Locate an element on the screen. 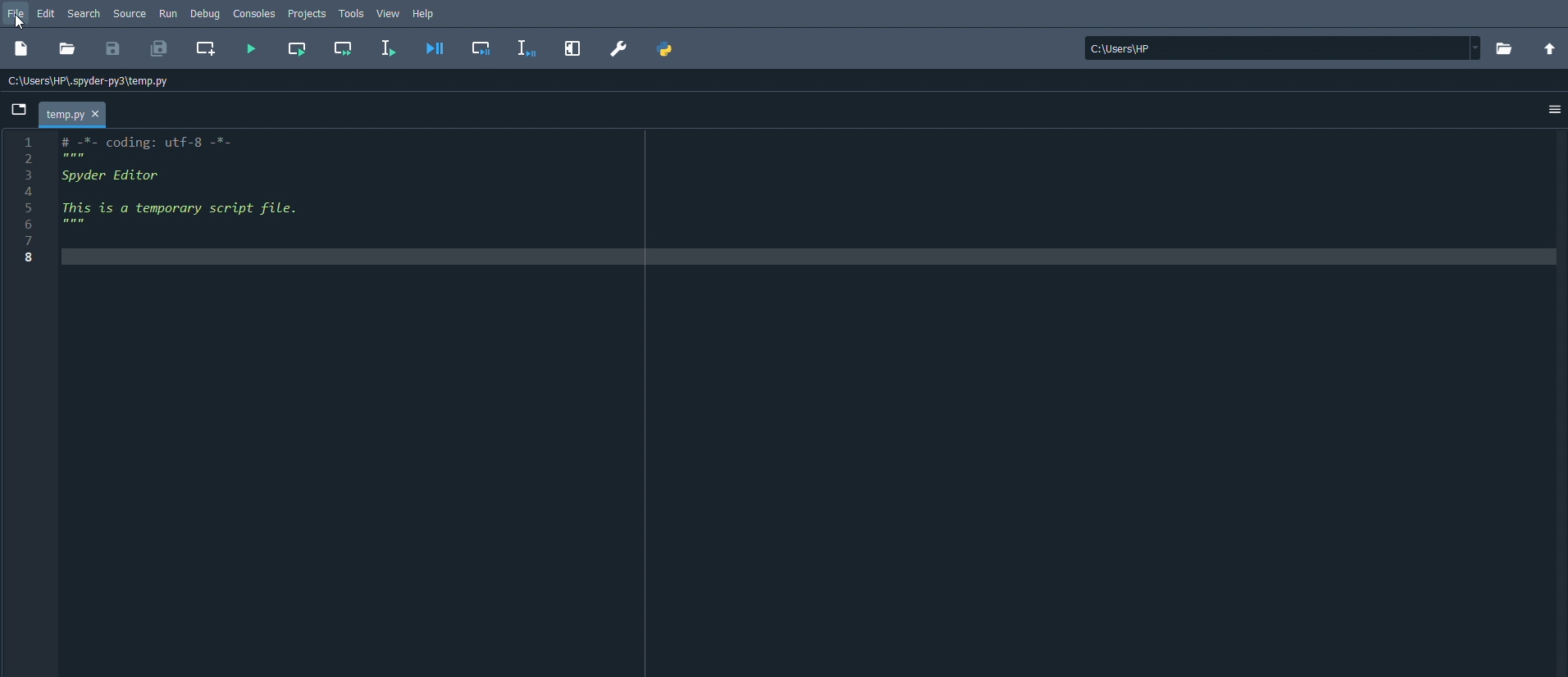  PYTHONPATH manager is located at coordinates (666, 49).